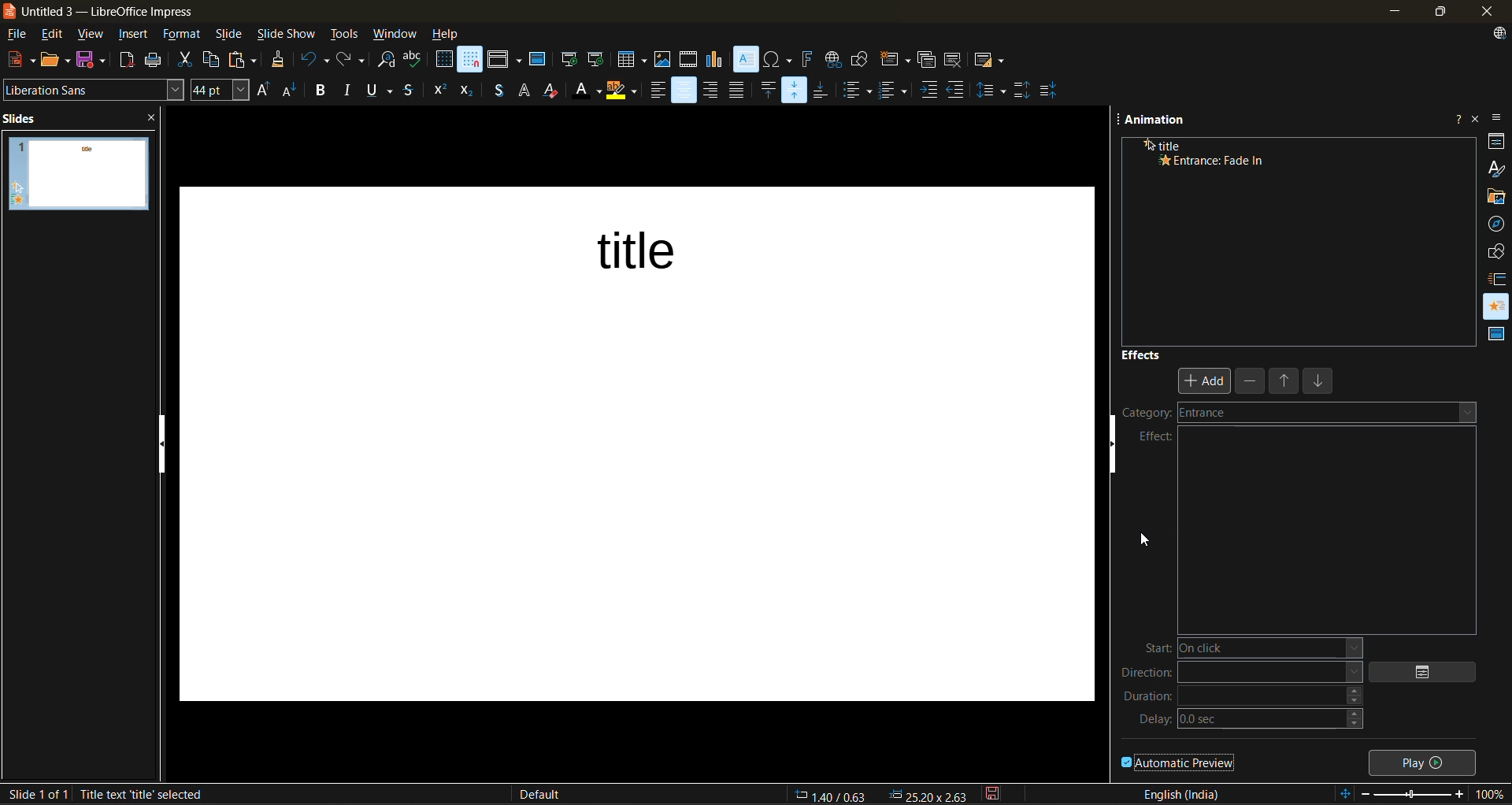 This screenshot has height=805, width=1512. What do you see at coordinates (1253, 723) in the screenshot?
I see `delay` at bounding box center [1253, 723].